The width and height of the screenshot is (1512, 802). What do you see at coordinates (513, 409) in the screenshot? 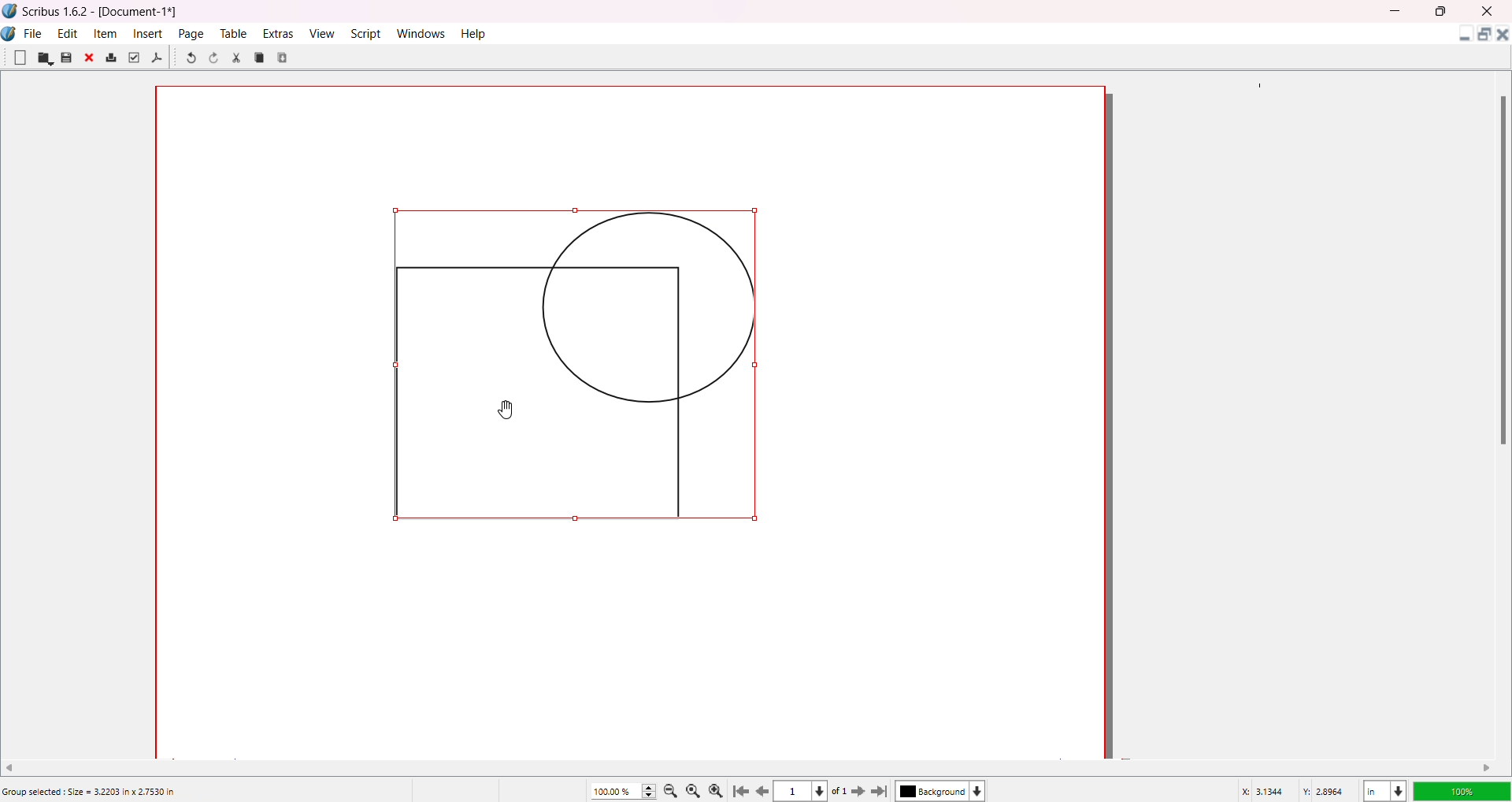
I see `Cursor` at bounding box center [513, 409].